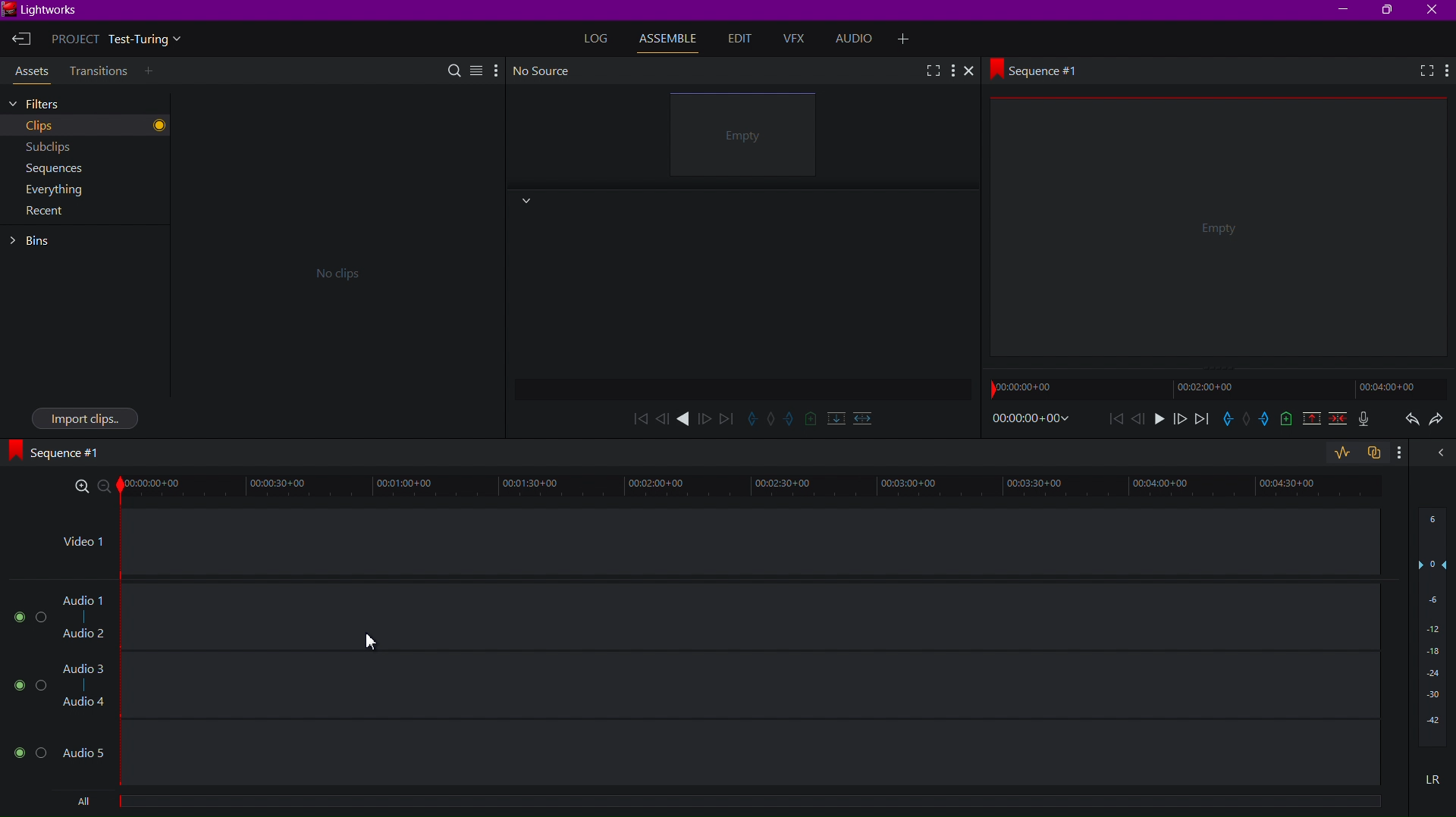 This screenshot has height=817, width=1456. What do you see at coordinates (1390, 11) in the screenshot?
I see `Maximize` at bounding box center [1390, 11].